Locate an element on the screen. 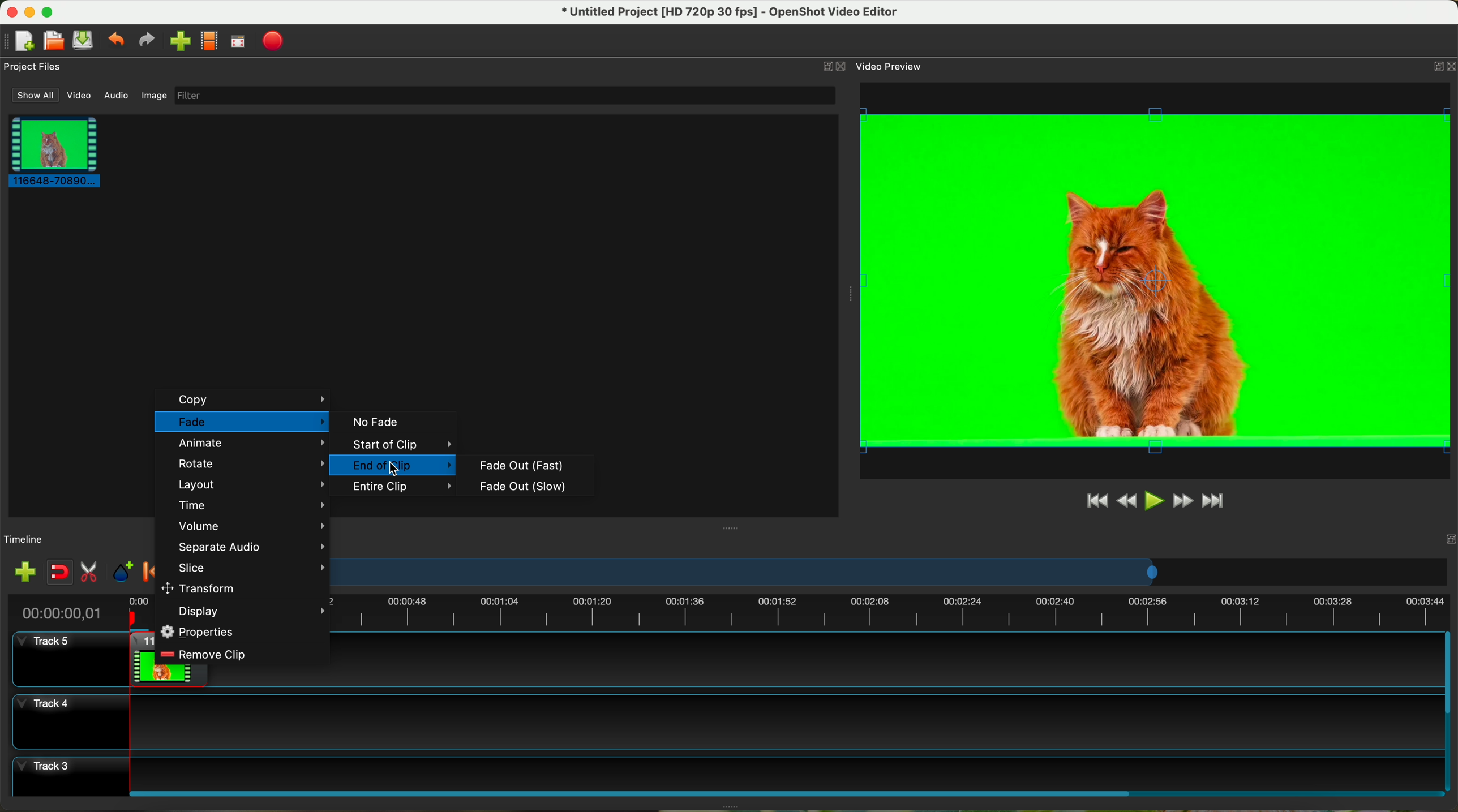 This screenshot has width=1458, height=812. previous marker is located at coordinates (148, 572).